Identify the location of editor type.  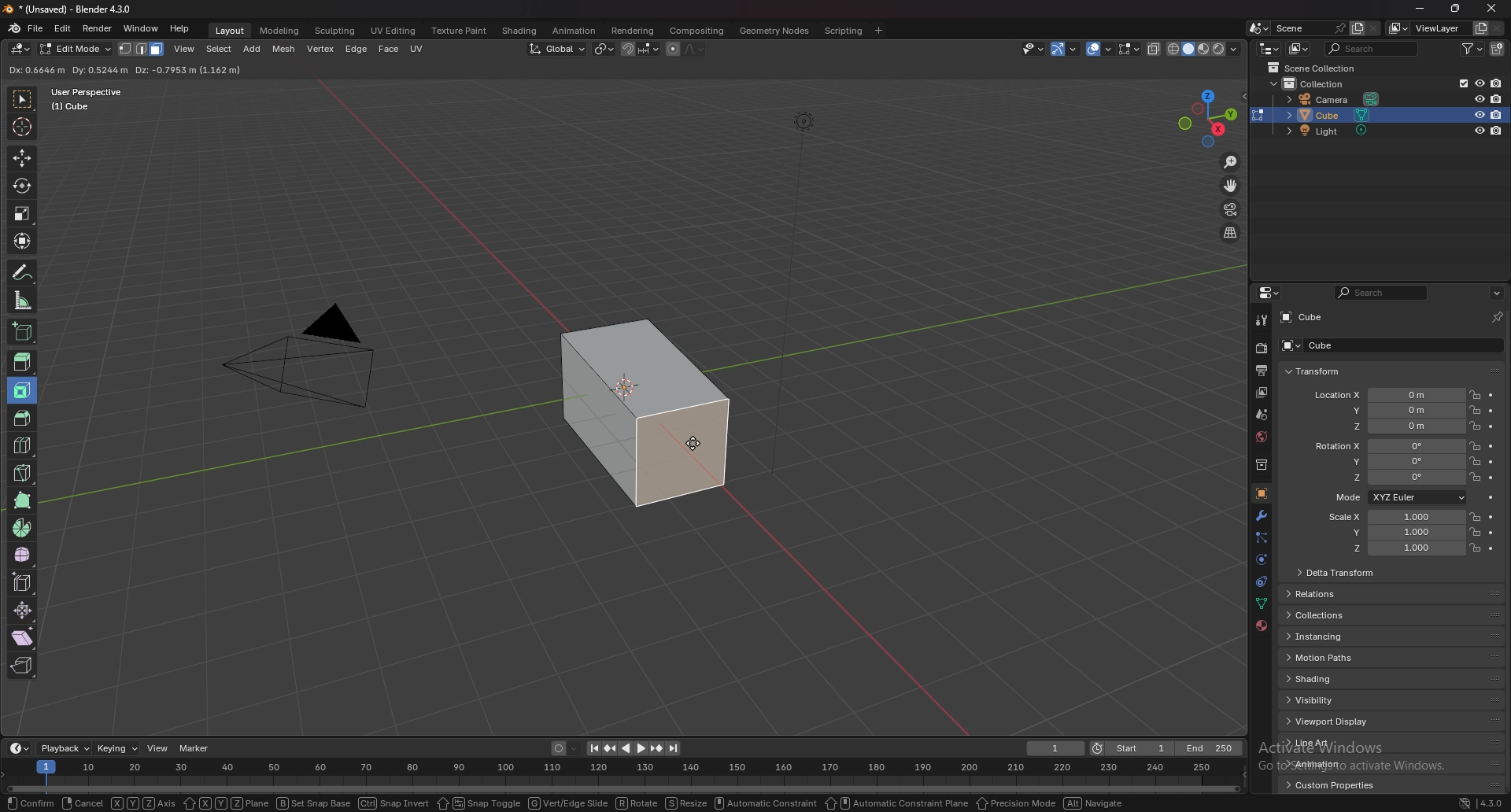
(1269, 293).